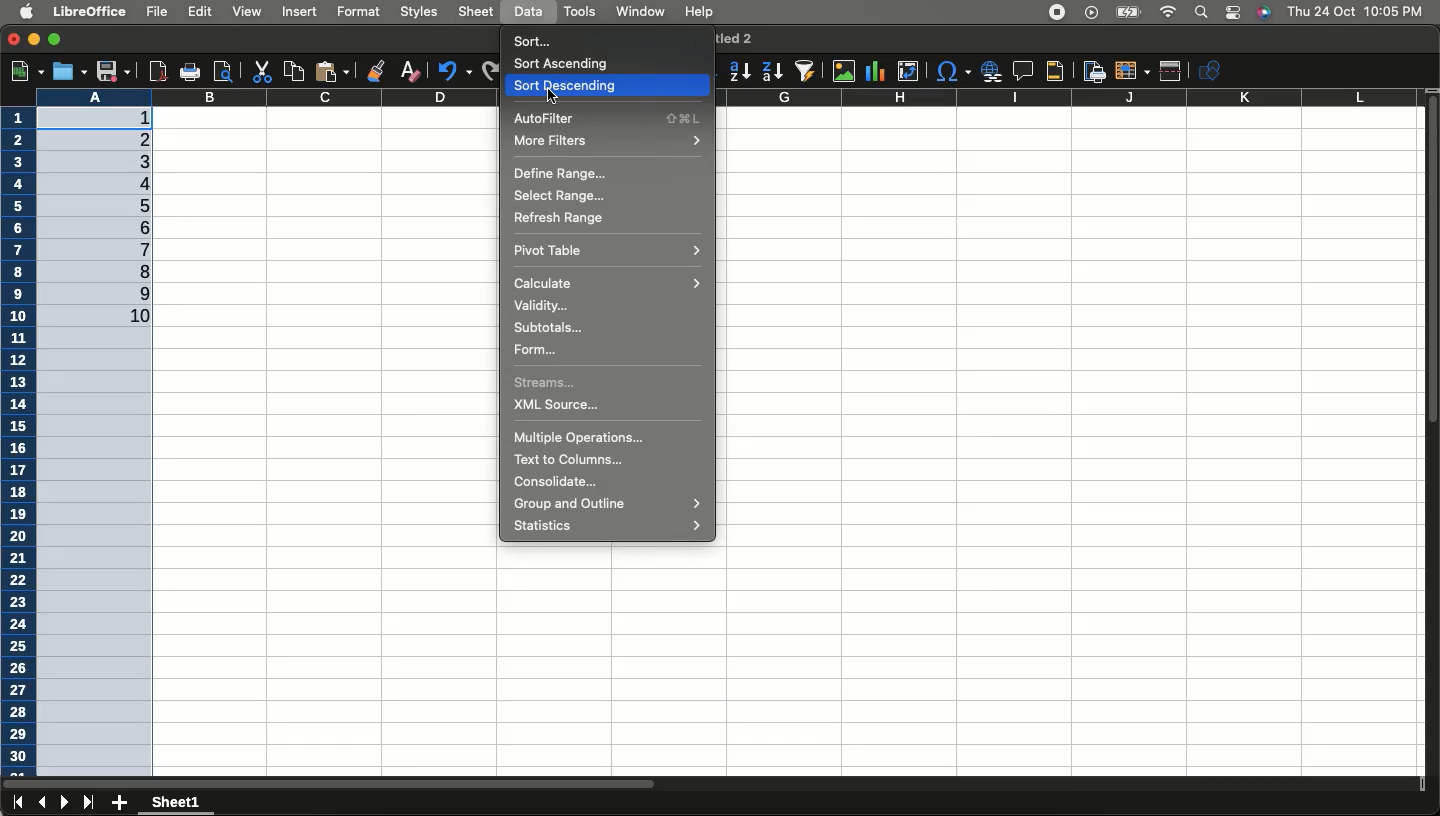  Describe the element at coordinates (414, 71) in the screenshot. I see `Clear direct formatting` at that location.